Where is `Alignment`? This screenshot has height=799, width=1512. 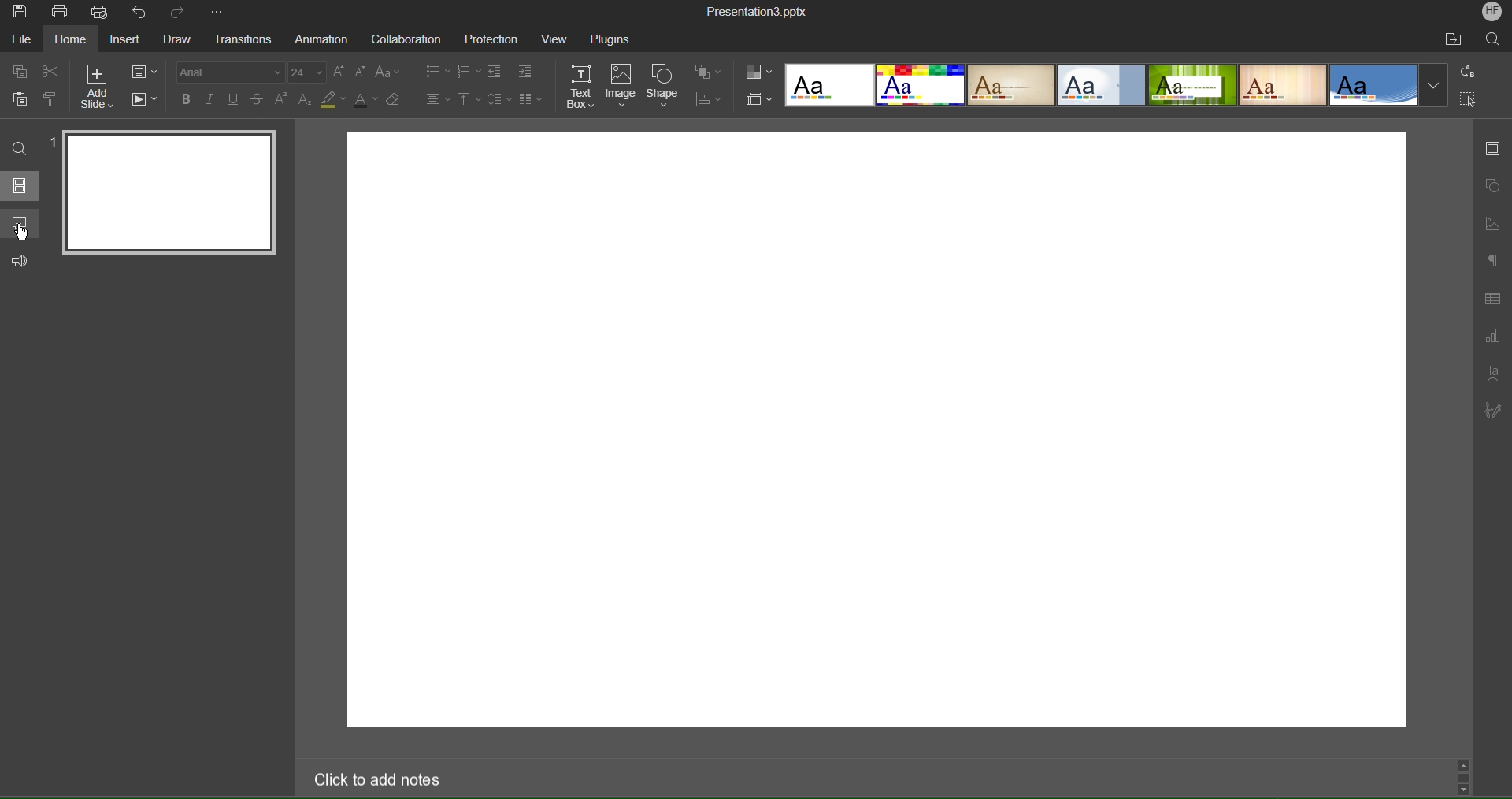 Alignment is located at coordinates (438, 101).